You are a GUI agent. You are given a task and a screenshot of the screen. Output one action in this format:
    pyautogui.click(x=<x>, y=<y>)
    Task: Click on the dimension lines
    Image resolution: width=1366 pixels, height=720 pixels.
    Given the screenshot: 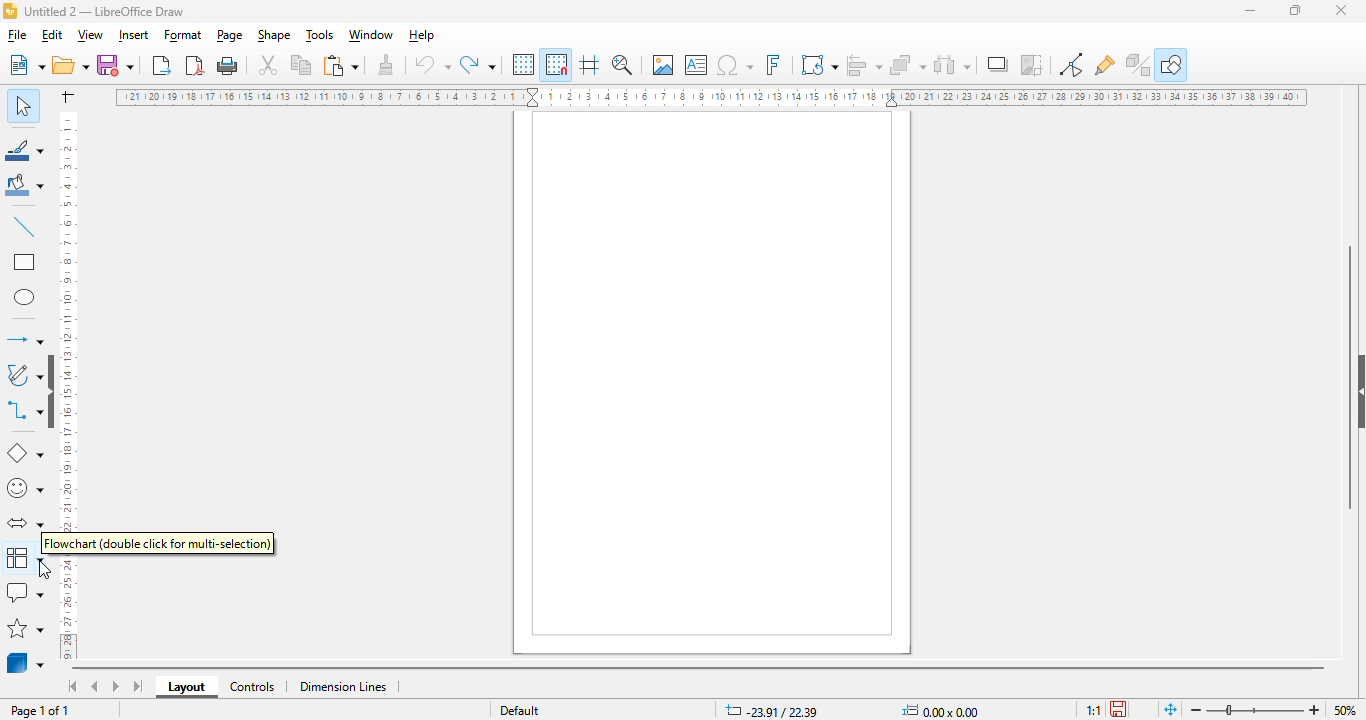 What is the action you would take?
    pyautogui.click(x=343, y=687)
    